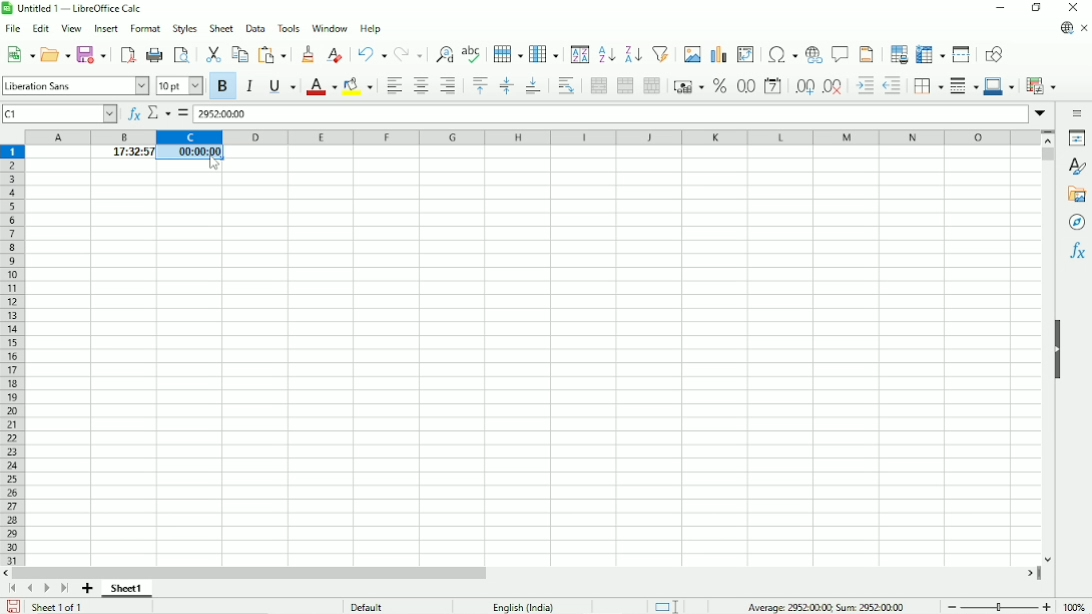 Image resolution: width=1092 pixels, height=614 pixels. Describe the element at coordinates (1074, 138) in the screenshot. I see `Properties` at that location.